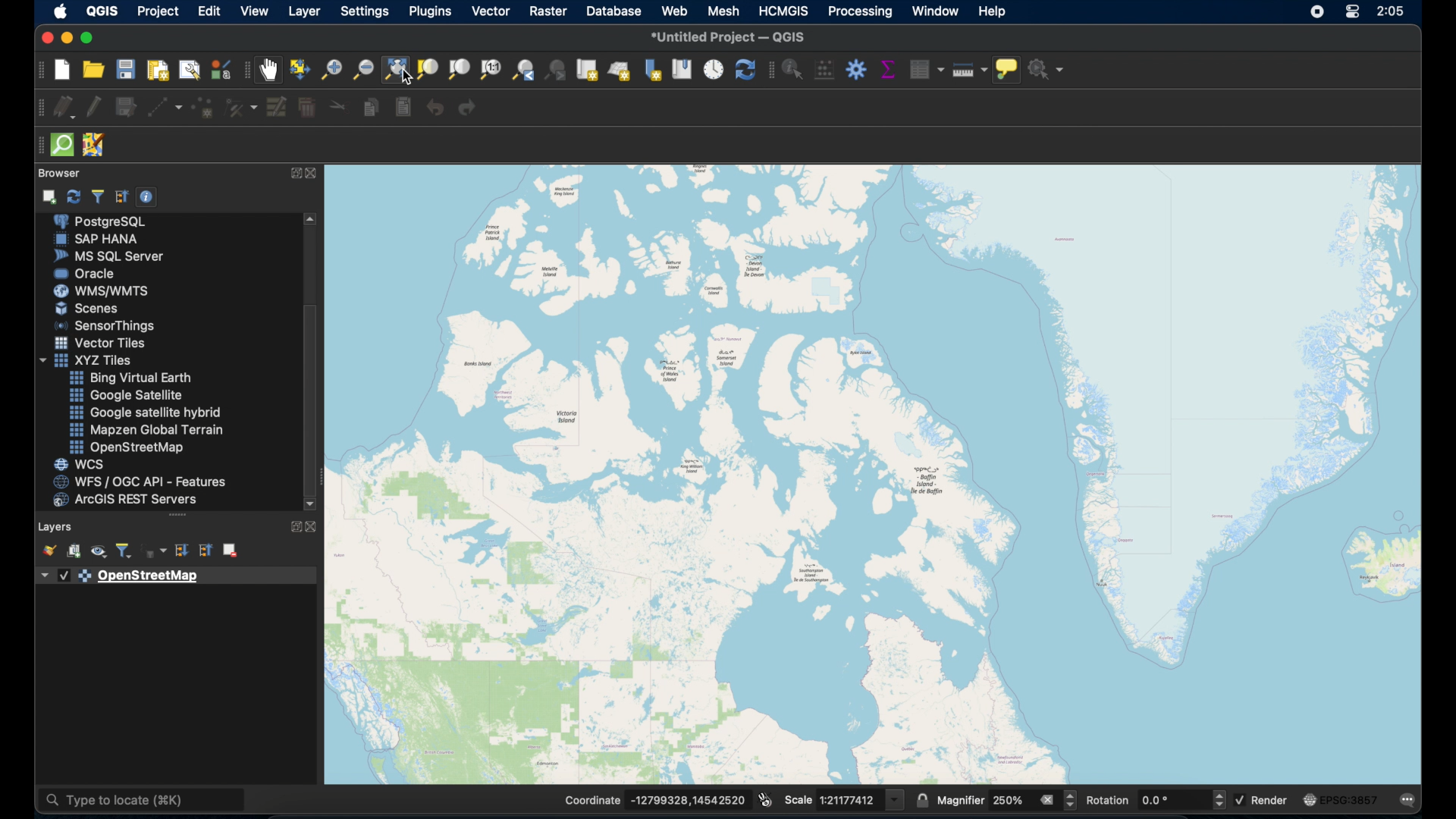 The image size is (1456, 819). I want to click on delete selected, so click(309, 108).